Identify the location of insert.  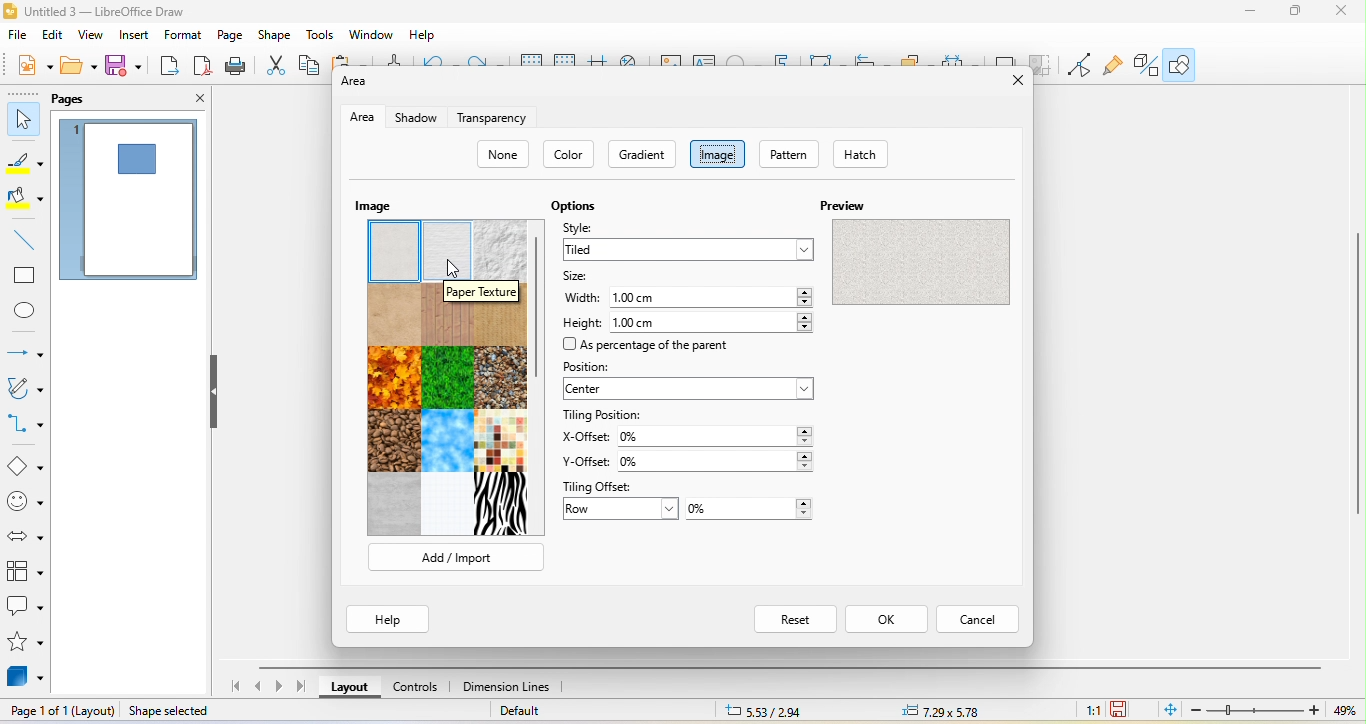
(138, 37).